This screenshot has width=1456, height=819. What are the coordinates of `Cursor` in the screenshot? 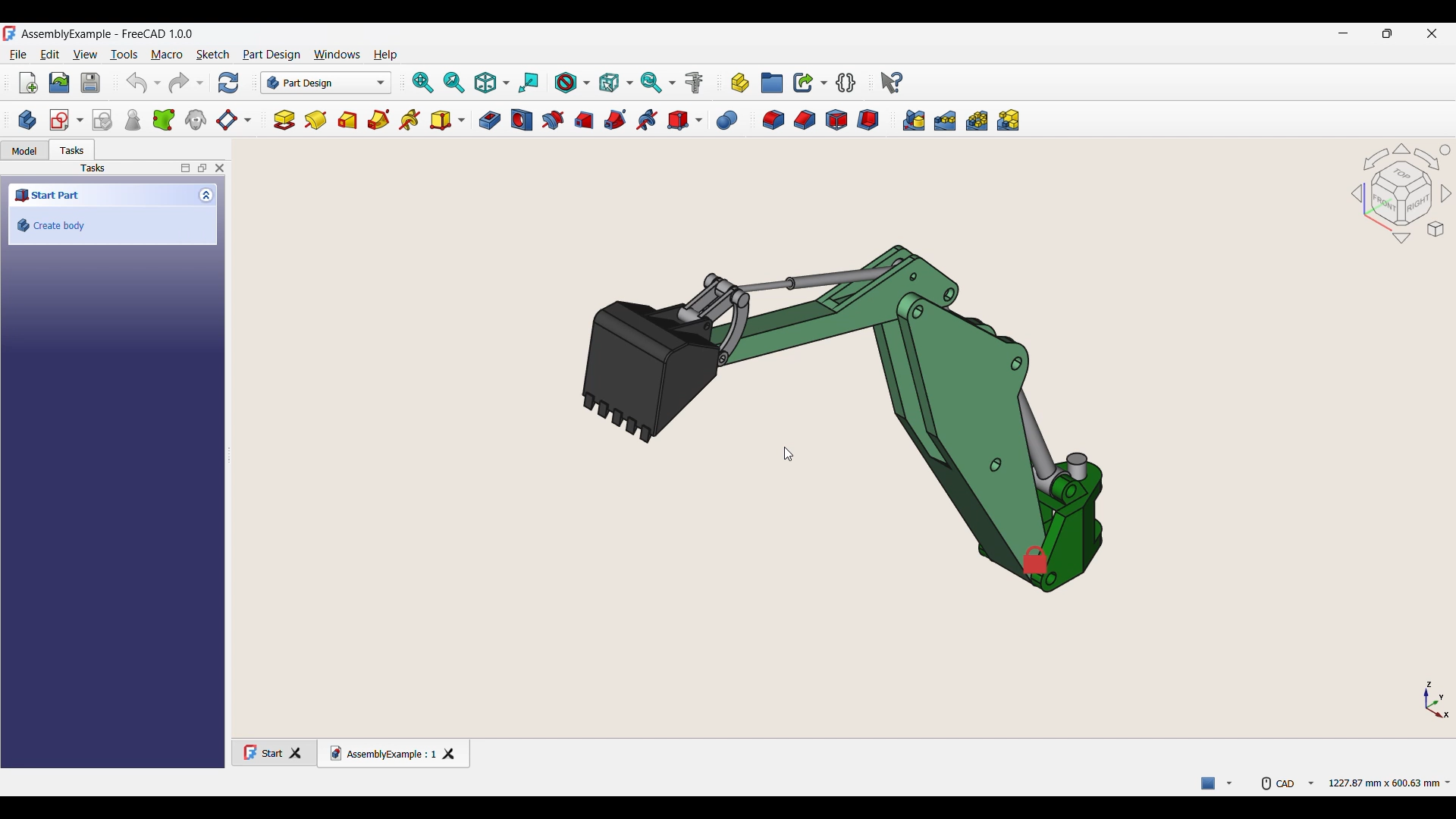 It's located at (789, 453).